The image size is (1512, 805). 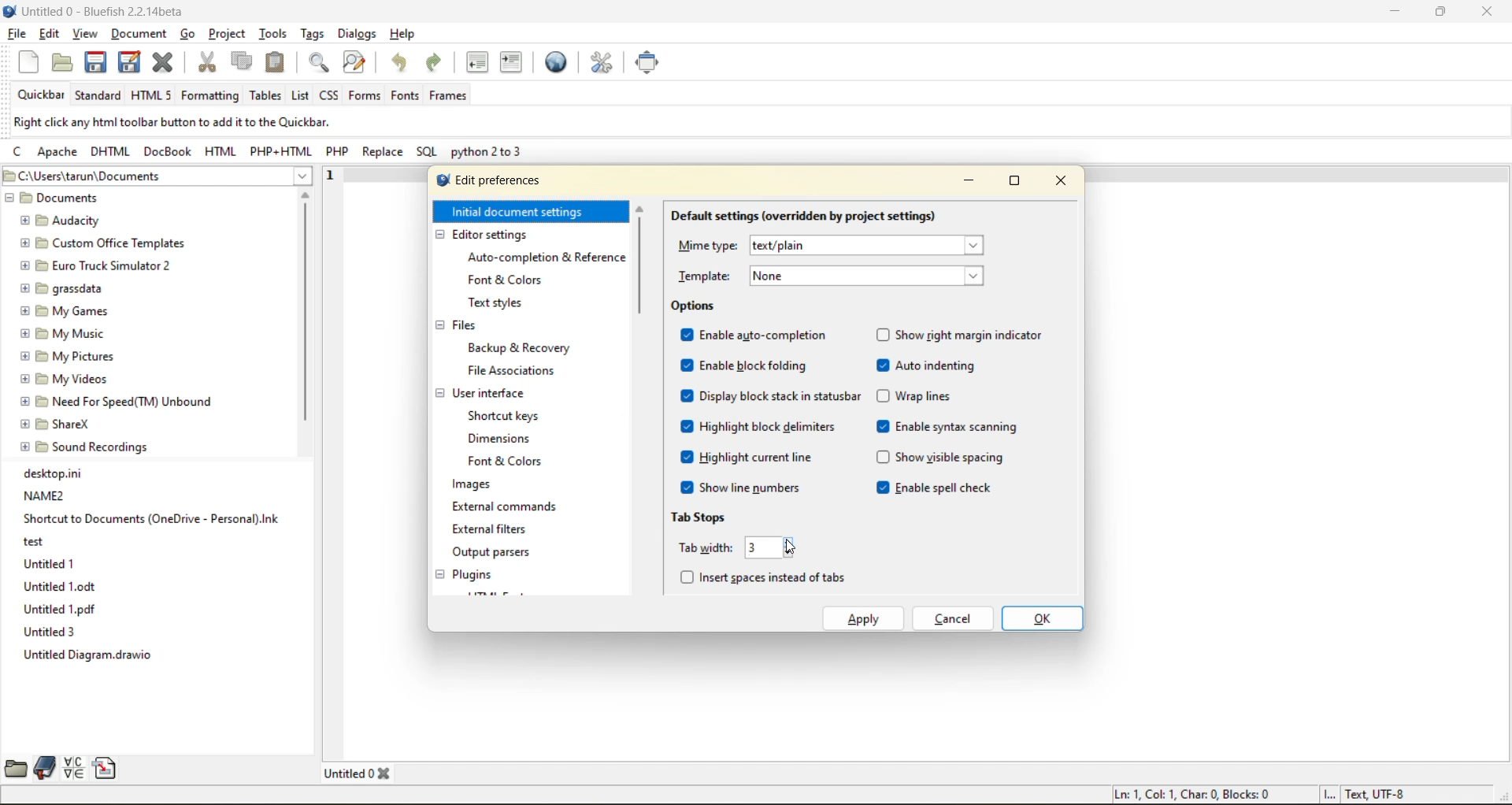 I want to click on external filters, so click(x=495, y=530).